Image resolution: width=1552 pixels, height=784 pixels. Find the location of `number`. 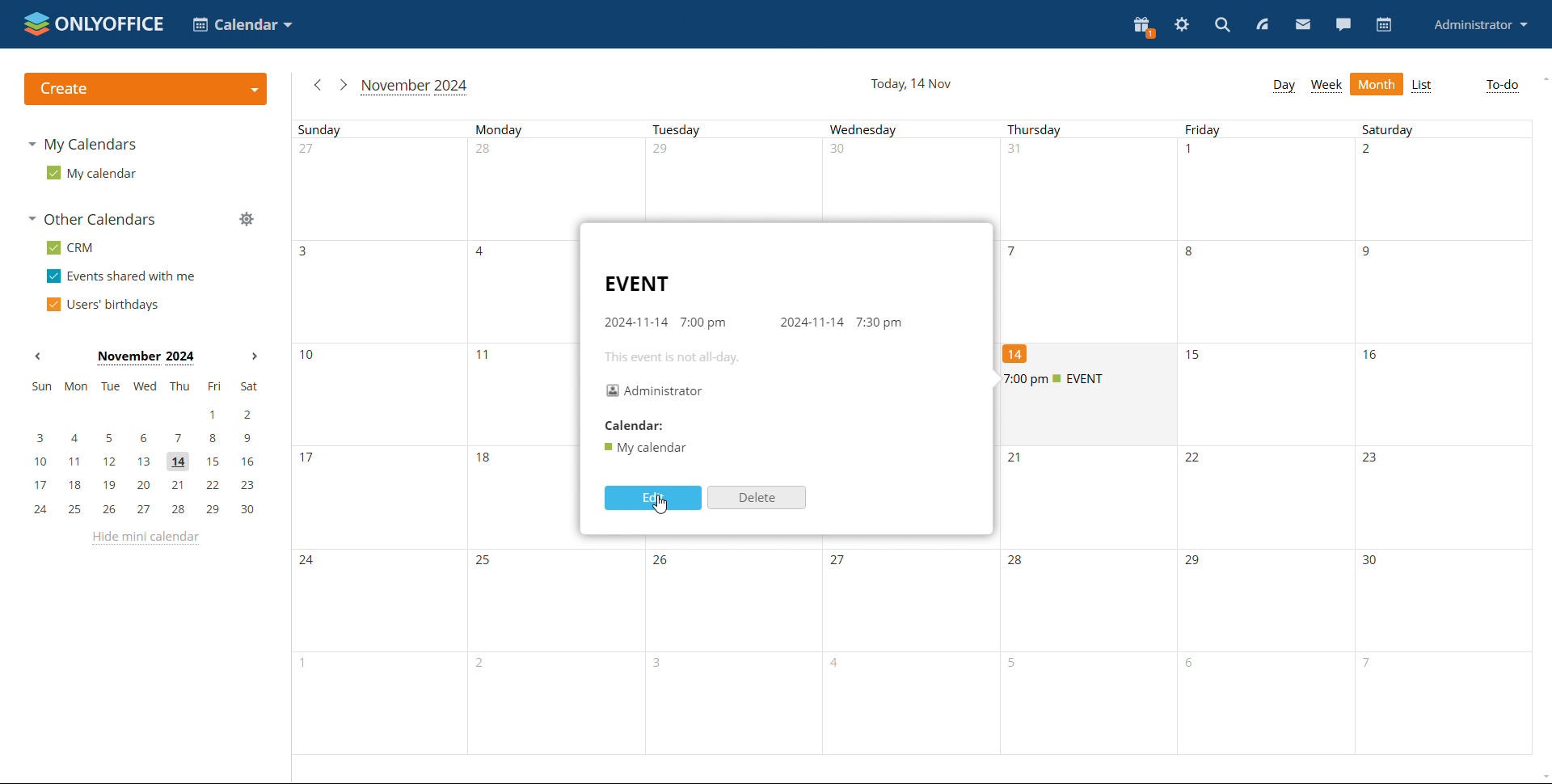

number is located at coordinates (845, 154).